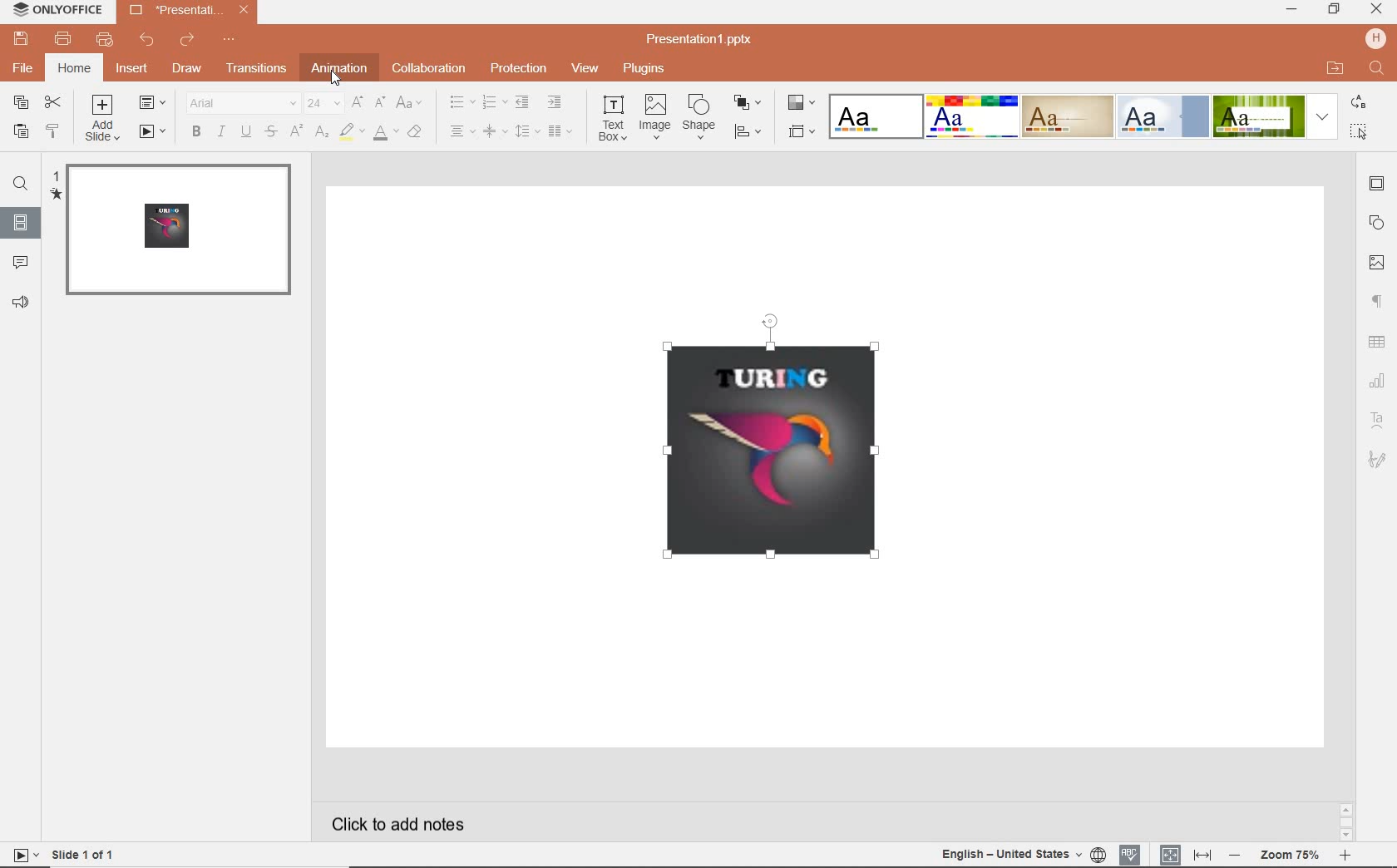 The image size is (1397, 868). Describe the element at coordinates (750, 133) in the screenshot. I see `align shape` at that location.